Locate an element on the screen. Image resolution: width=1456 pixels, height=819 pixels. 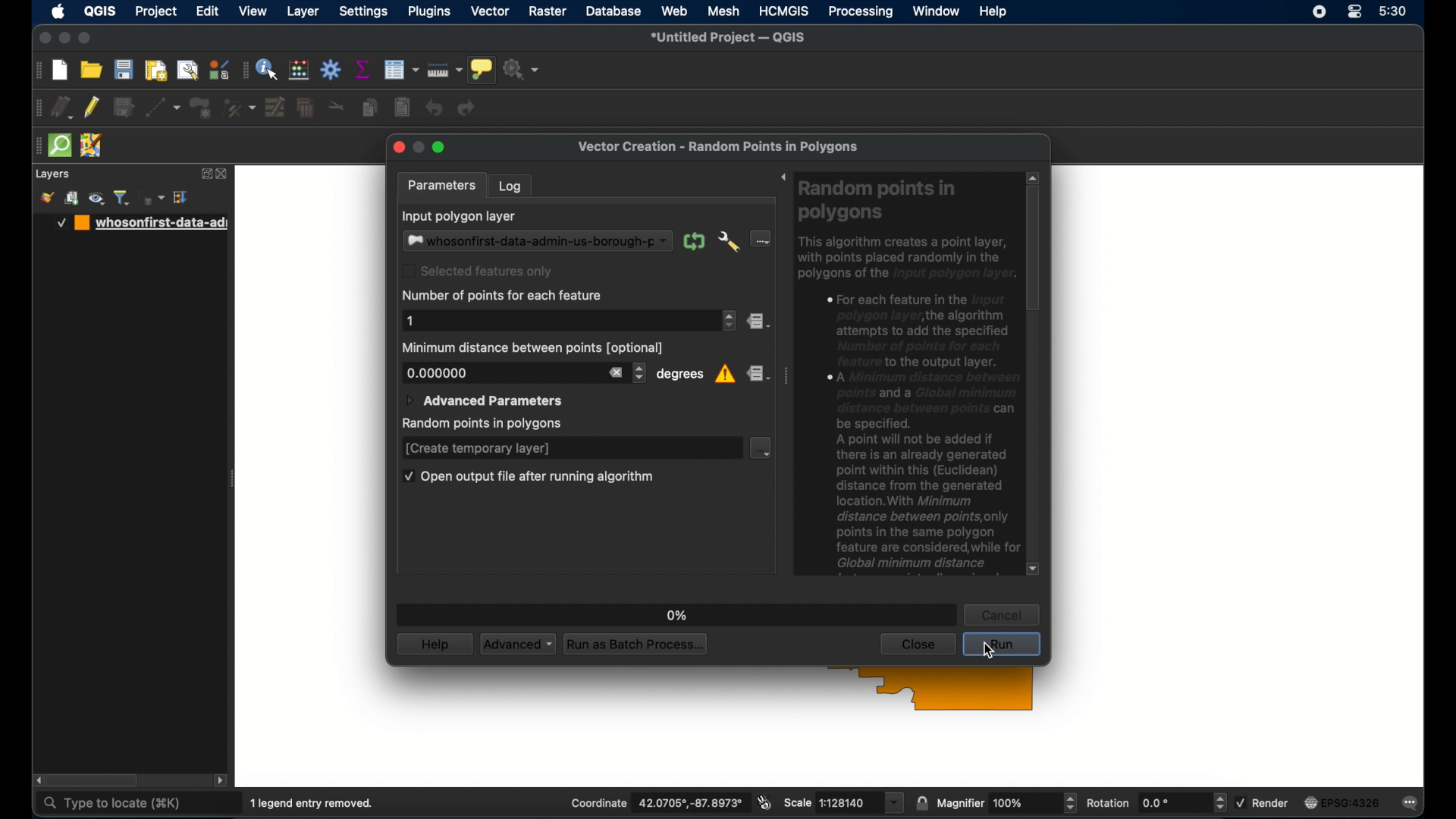
expand all is located at coordinates (182, 197).